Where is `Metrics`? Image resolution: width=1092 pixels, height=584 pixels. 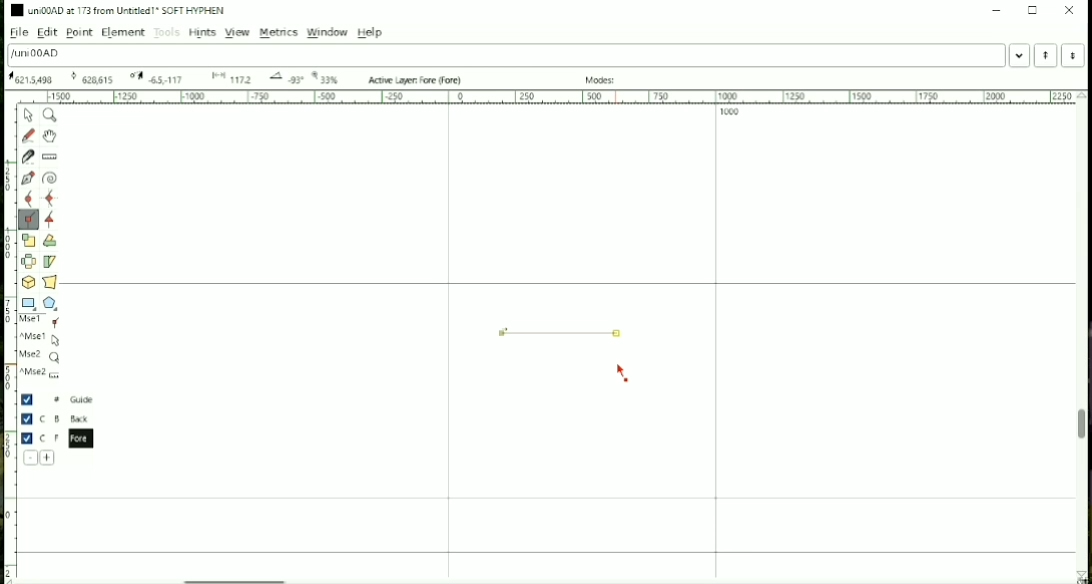
Metrics is located at coordinates (279, 33).